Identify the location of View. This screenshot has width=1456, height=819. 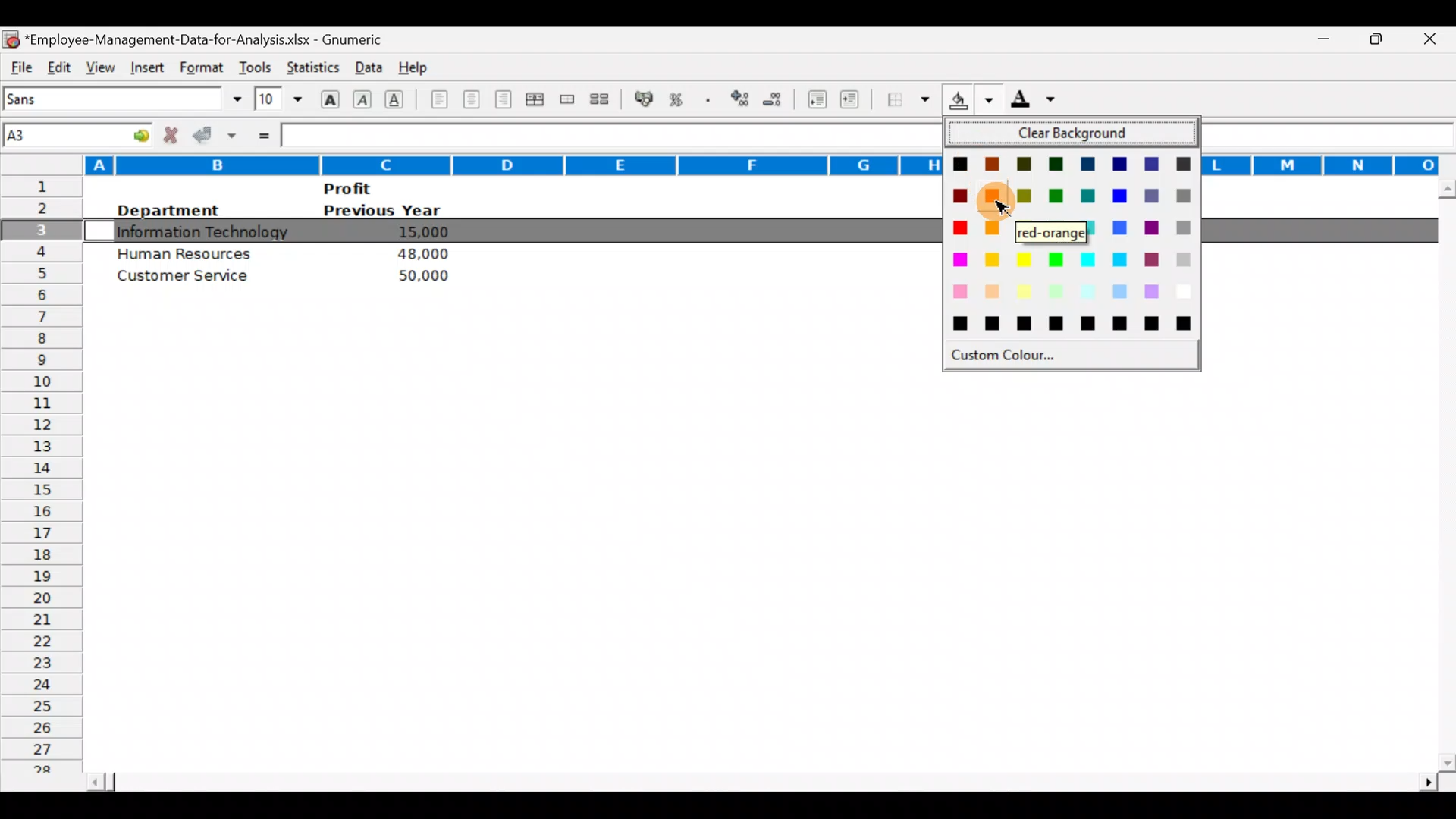
(97, 65).